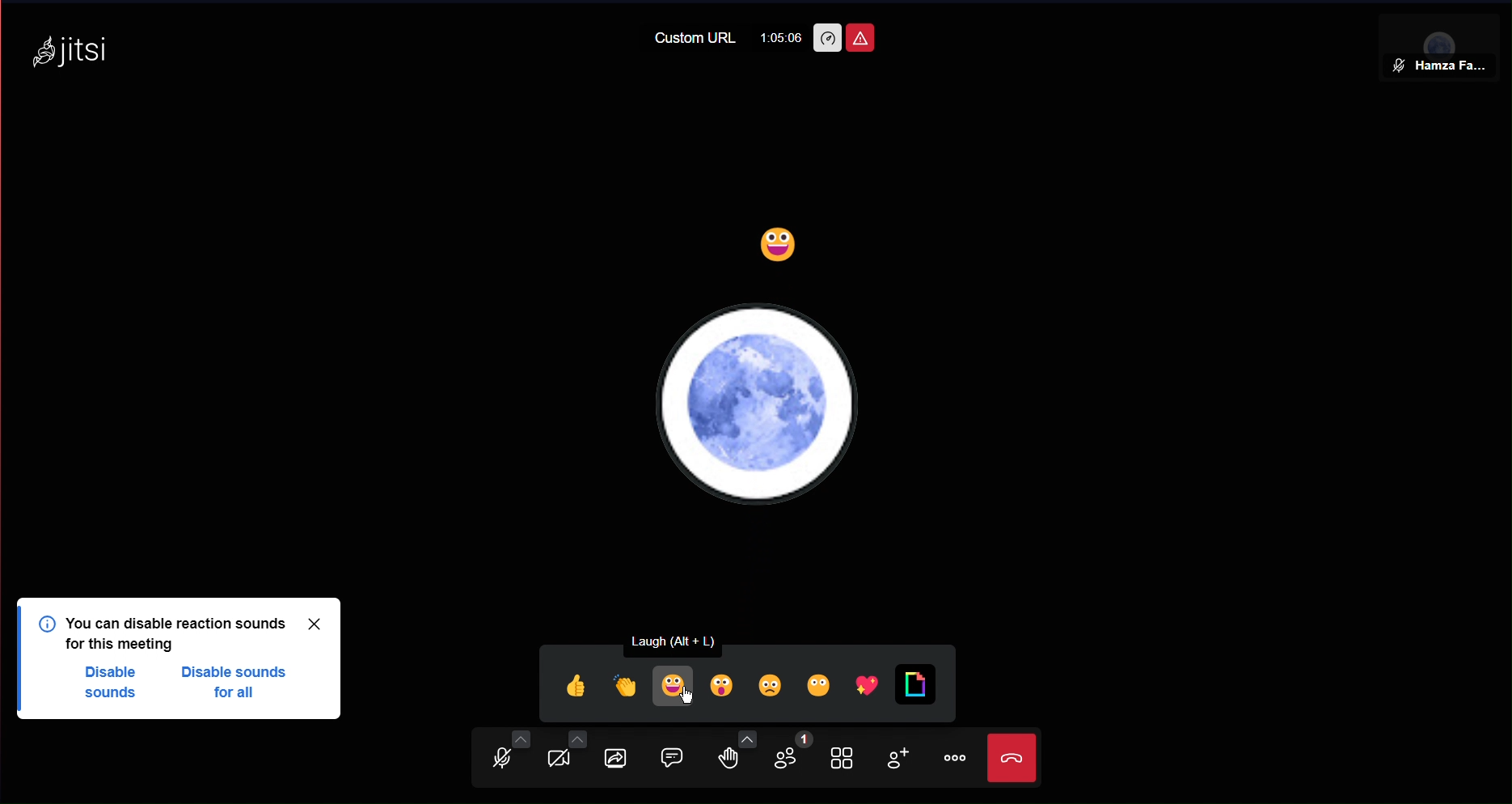 The width and height of the screenshot is (1512, 804). I want to click on Audio, so click(500, 757).